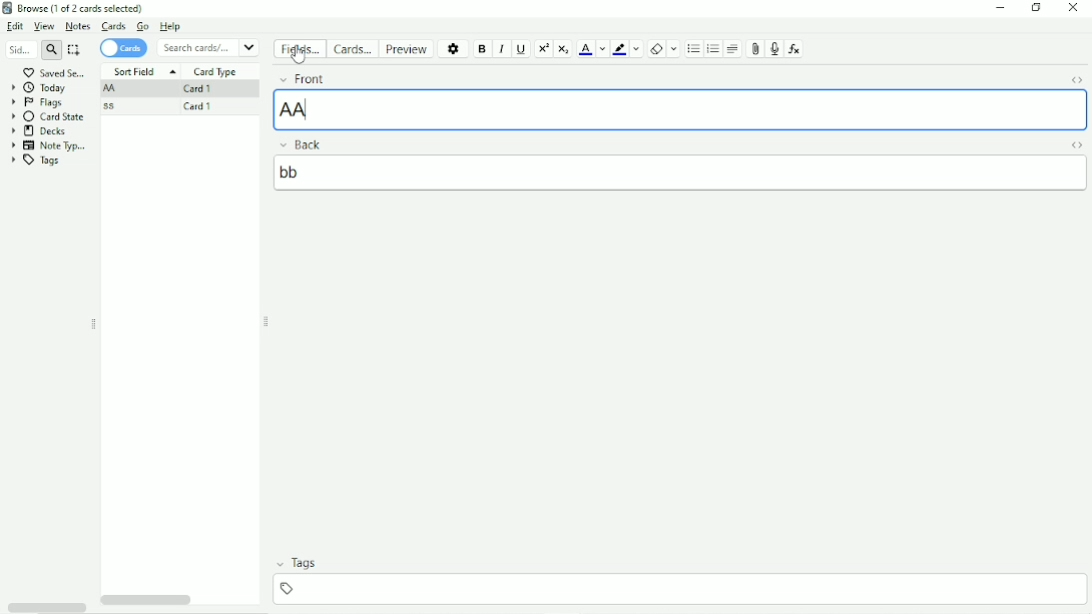 The height and width of the screenshot is (614, 1092). Describe the element at coordinates (44, 131) in the screenshot. I see `Decks` at that location.